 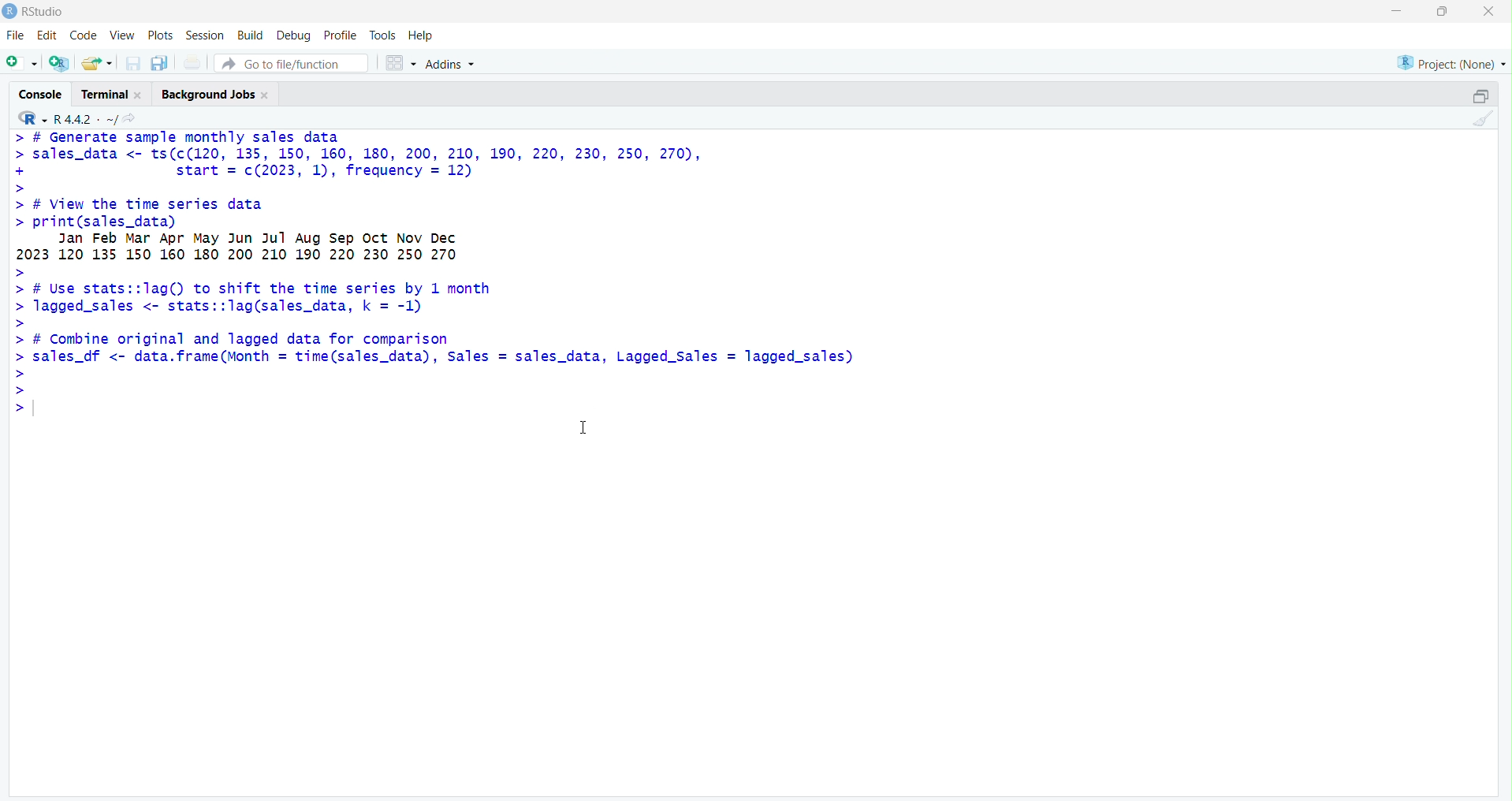 I want to click on > # Use stats::lag() to shift the time series by 1 month> lagged_sales <- stats::lag(sales_data, k = -1)>> # Combine original and lagged data for comparison> sales_df <- data.frame(Month = time(sales_data), Sales = sales_data, Lagged_Sales = lagged_sales>>>, so click(x=434, y=345).